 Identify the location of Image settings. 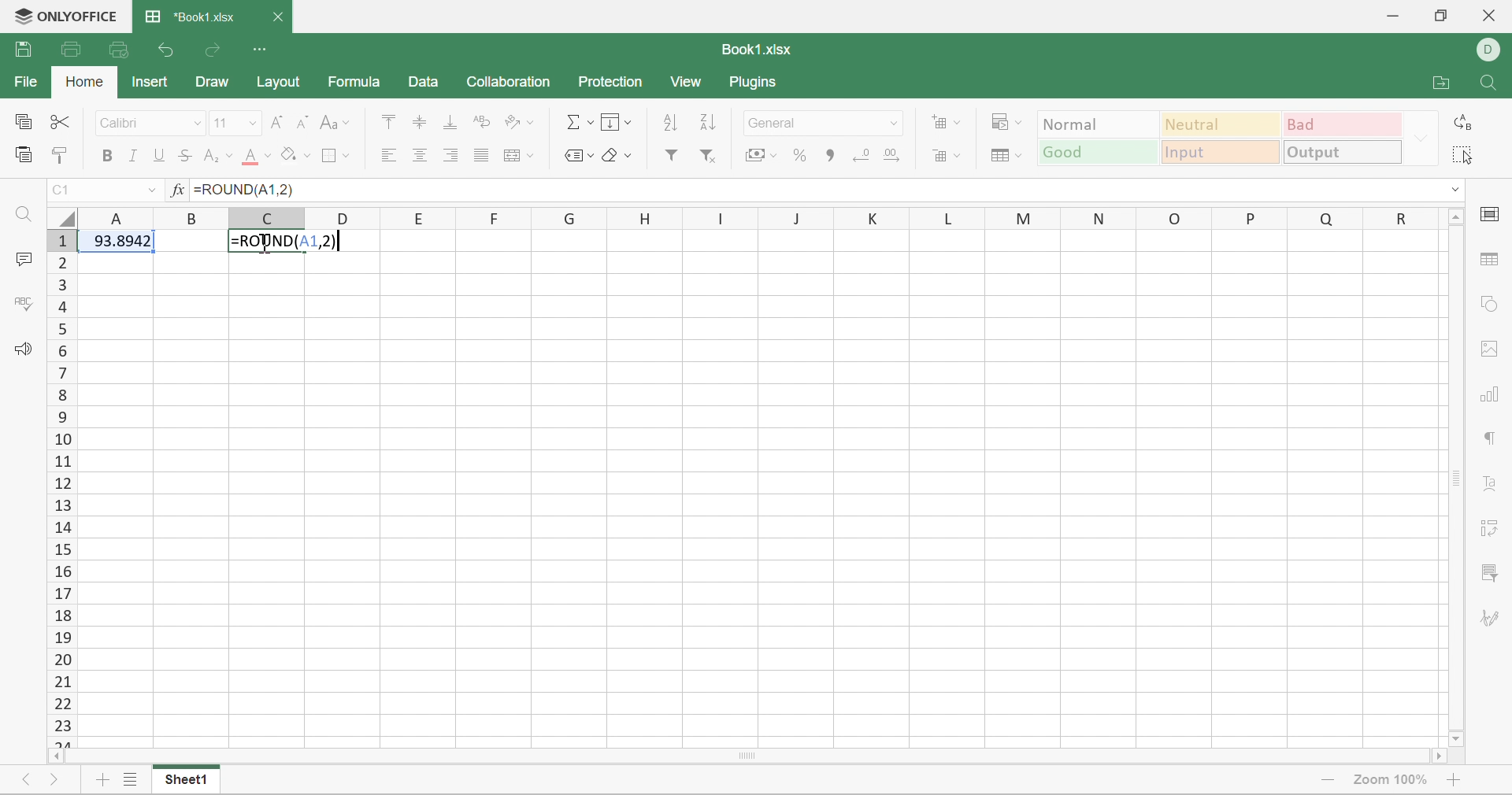
(1487, 348).